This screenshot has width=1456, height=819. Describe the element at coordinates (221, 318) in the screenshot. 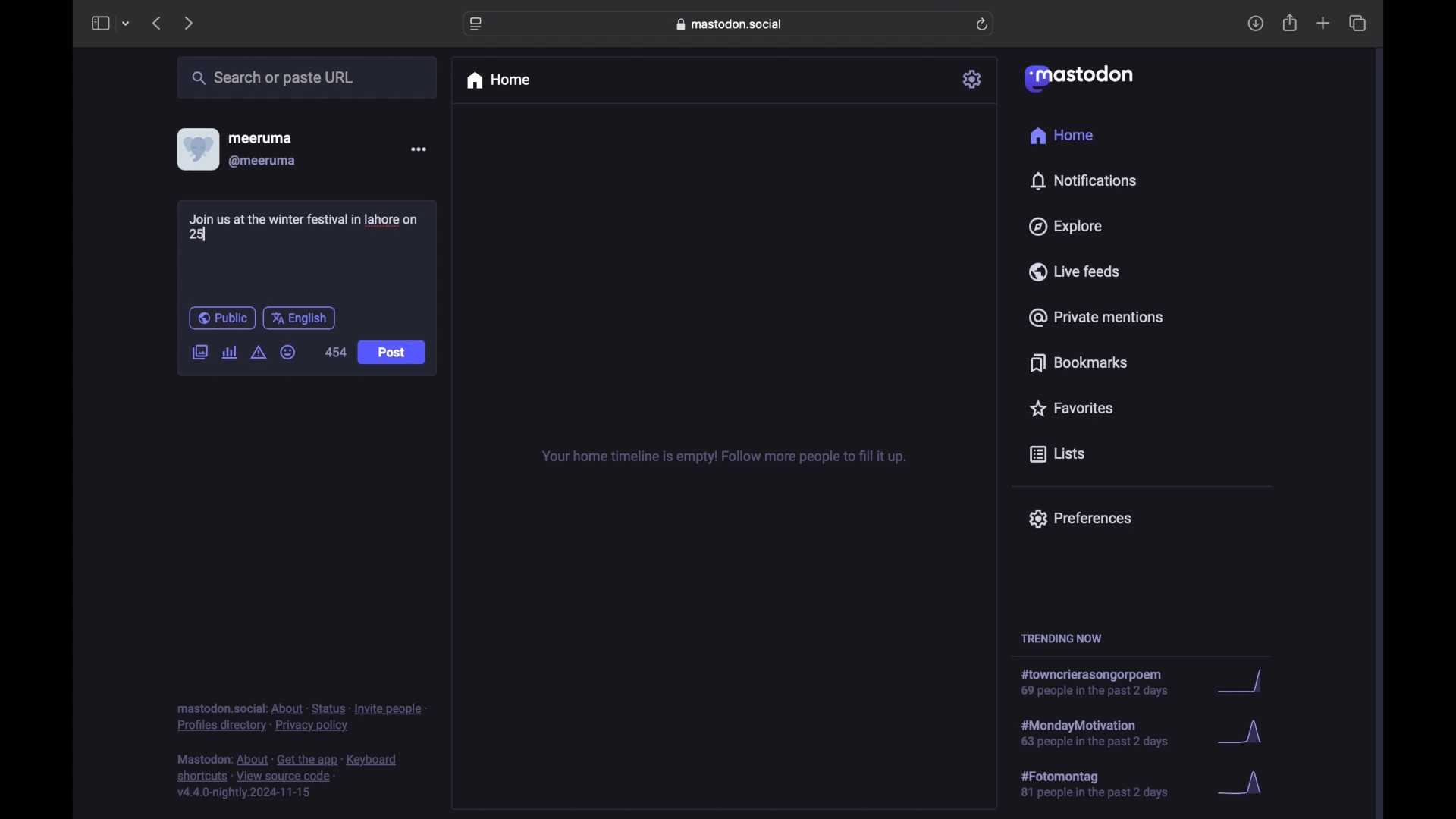

I see `public` at that location.